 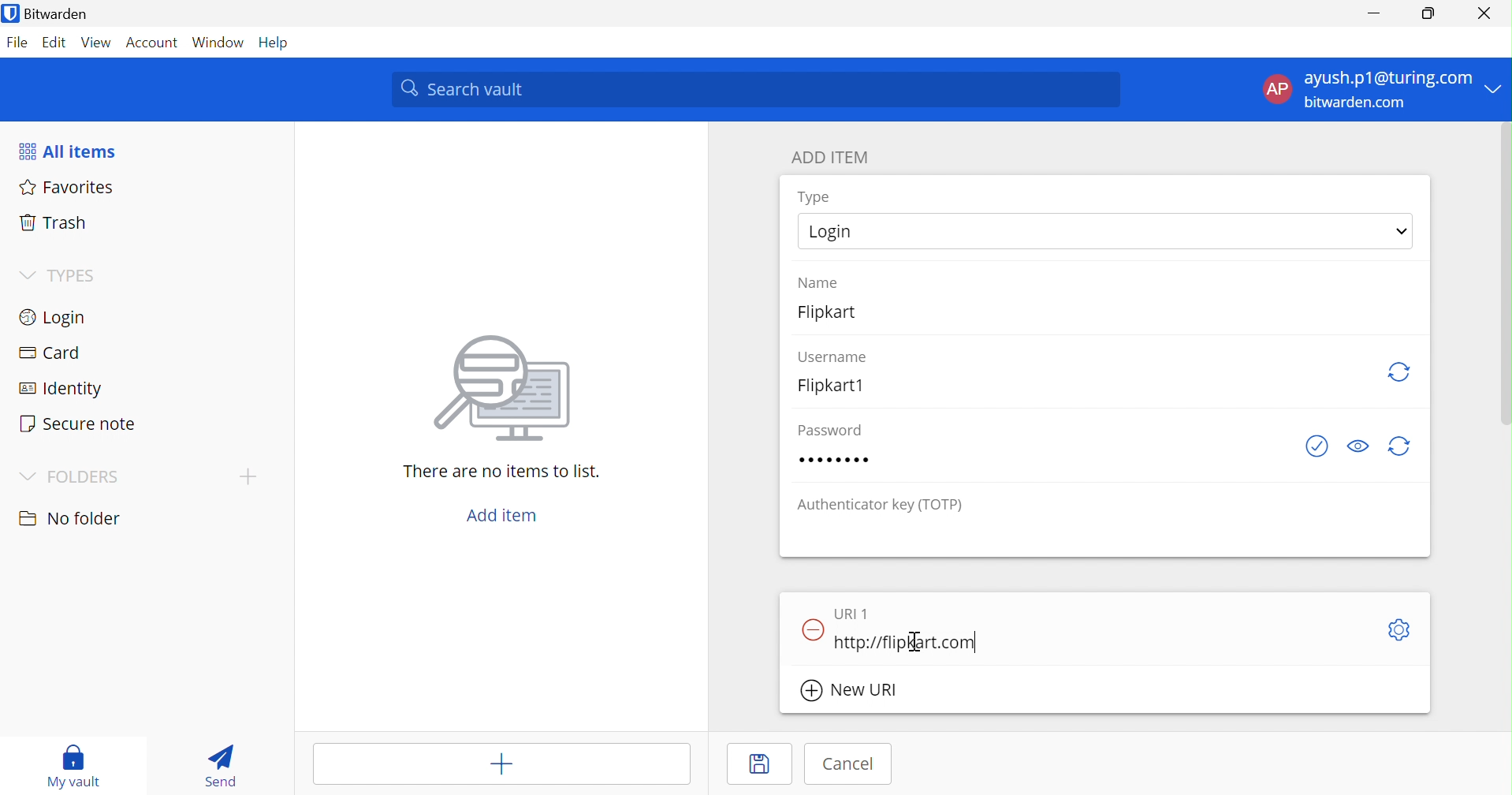 What do you see at coordinates (859, 692) in the screenshot?
I see `New URL` at bounding box center [859, 692].